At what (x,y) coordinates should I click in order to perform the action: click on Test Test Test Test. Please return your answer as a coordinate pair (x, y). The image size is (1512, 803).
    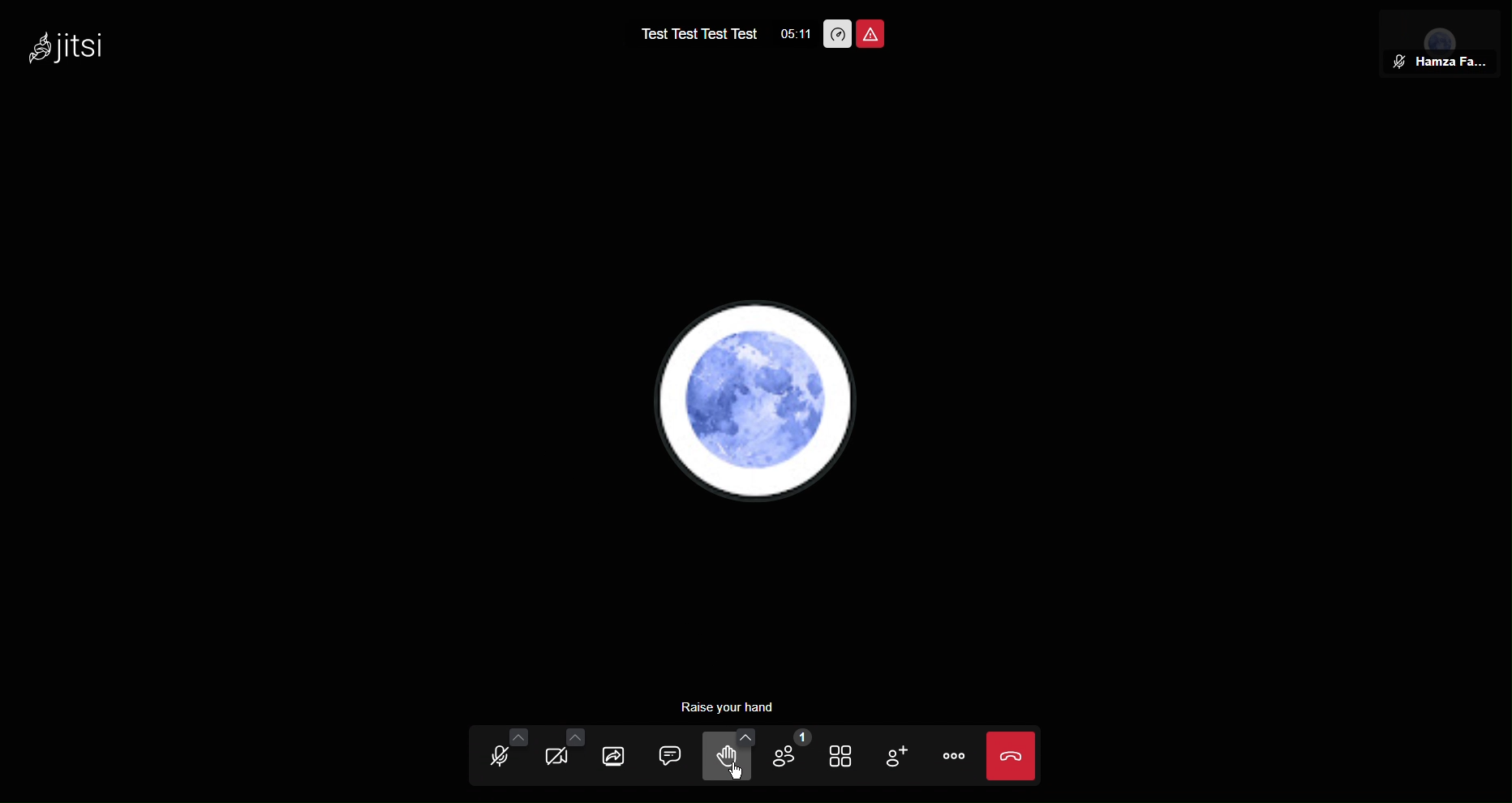
    Looking at the image, I should click on (698, 32).